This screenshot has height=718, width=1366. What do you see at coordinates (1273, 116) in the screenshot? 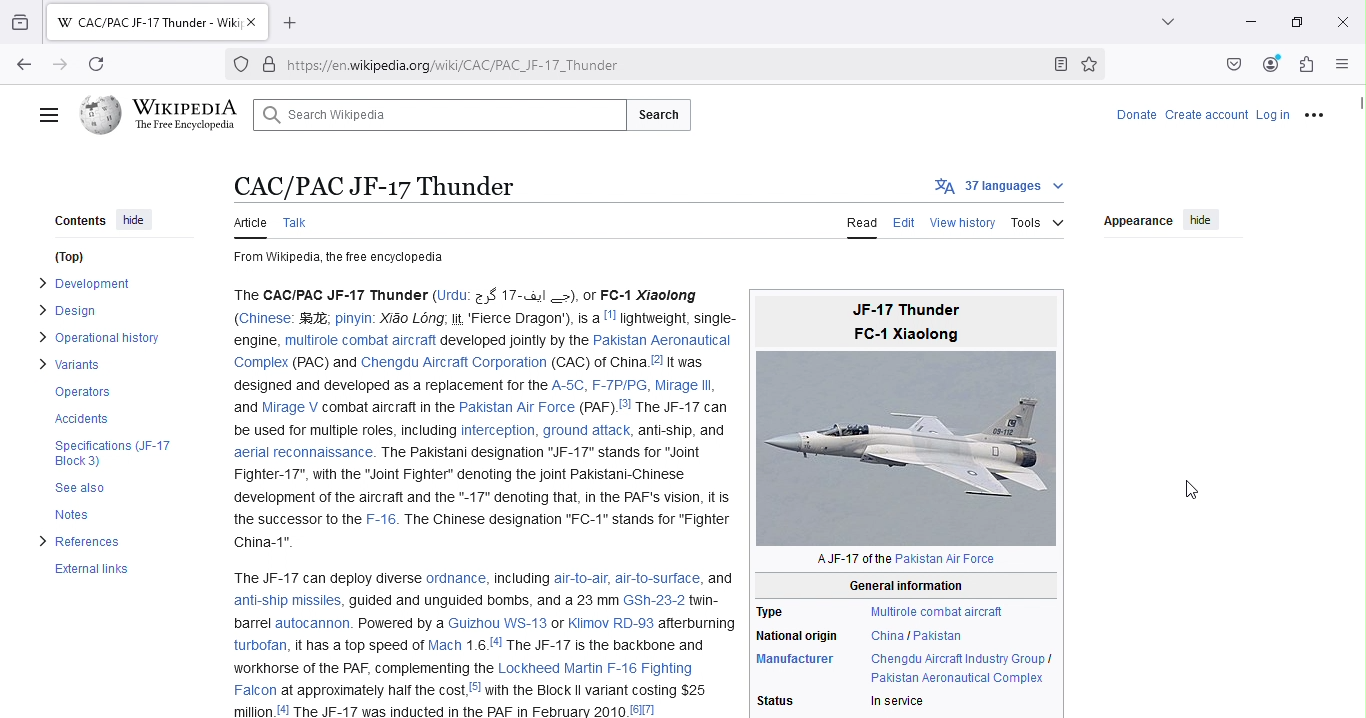
I see `log in` at bounding box center [1273, 116].